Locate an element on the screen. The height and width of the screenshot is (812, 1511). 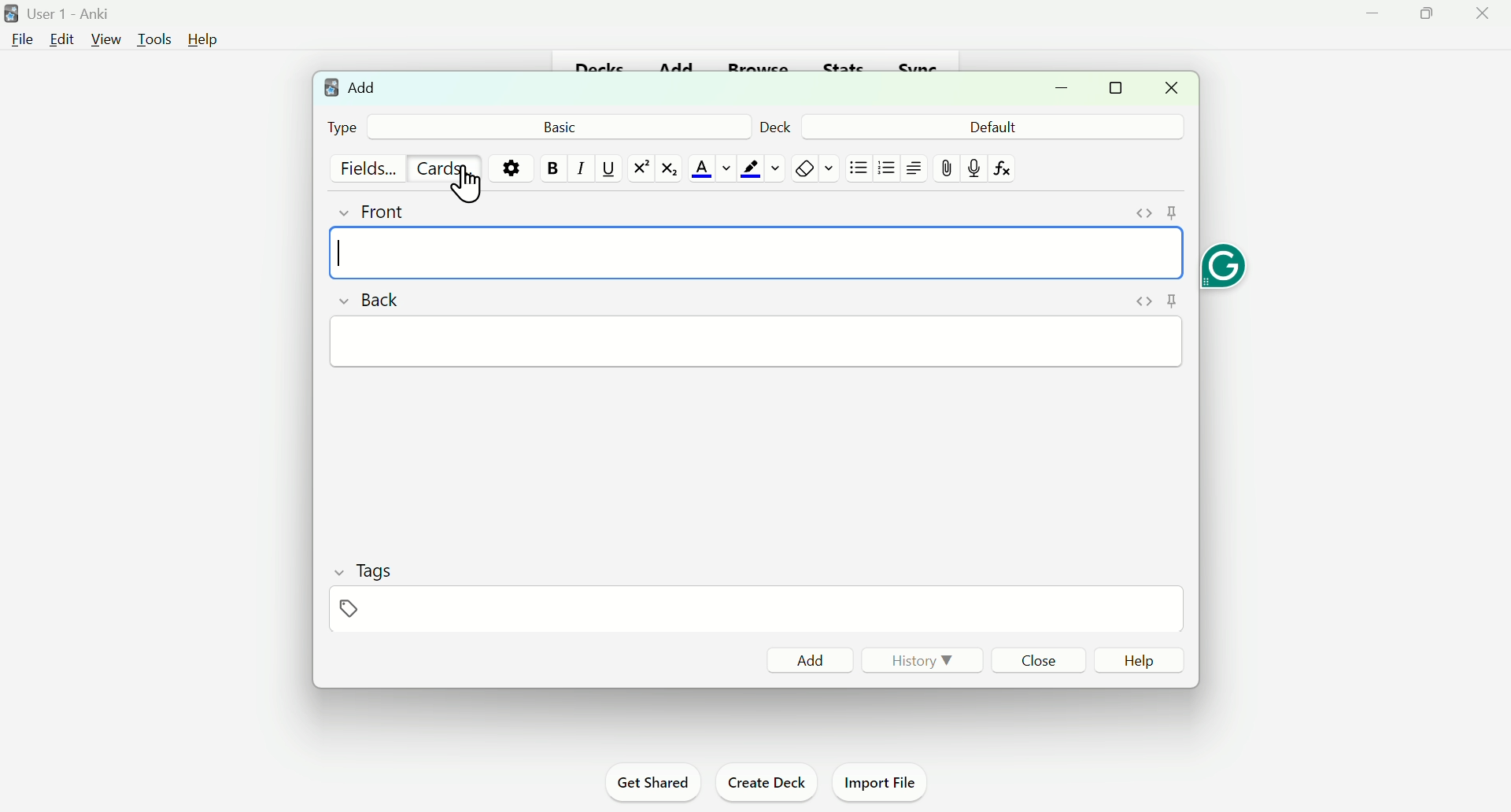
Back is located at coordinates (370, 301).